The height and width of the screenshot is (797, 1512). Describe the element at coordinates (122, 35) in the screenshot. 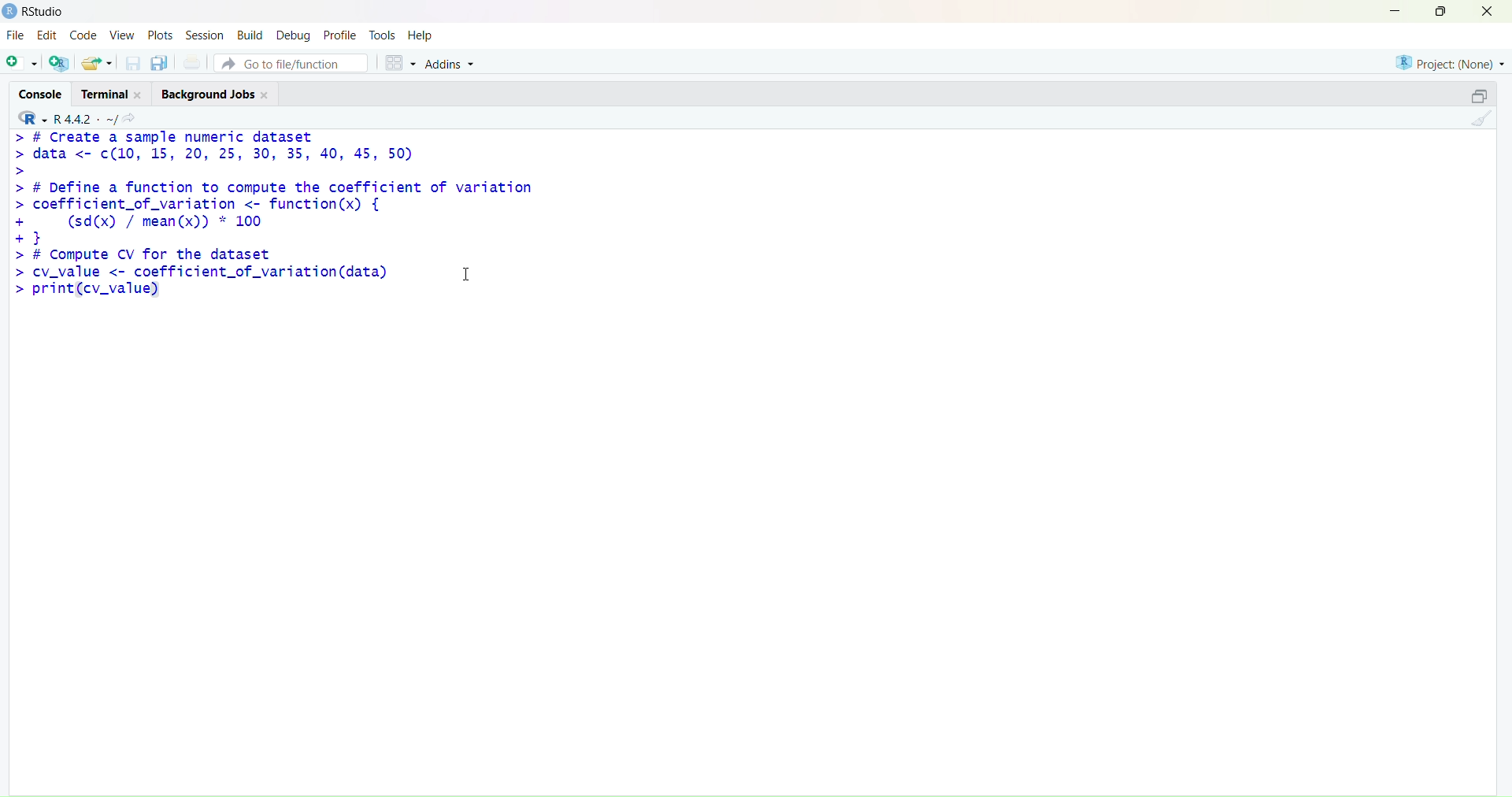

I see `view` at that location.